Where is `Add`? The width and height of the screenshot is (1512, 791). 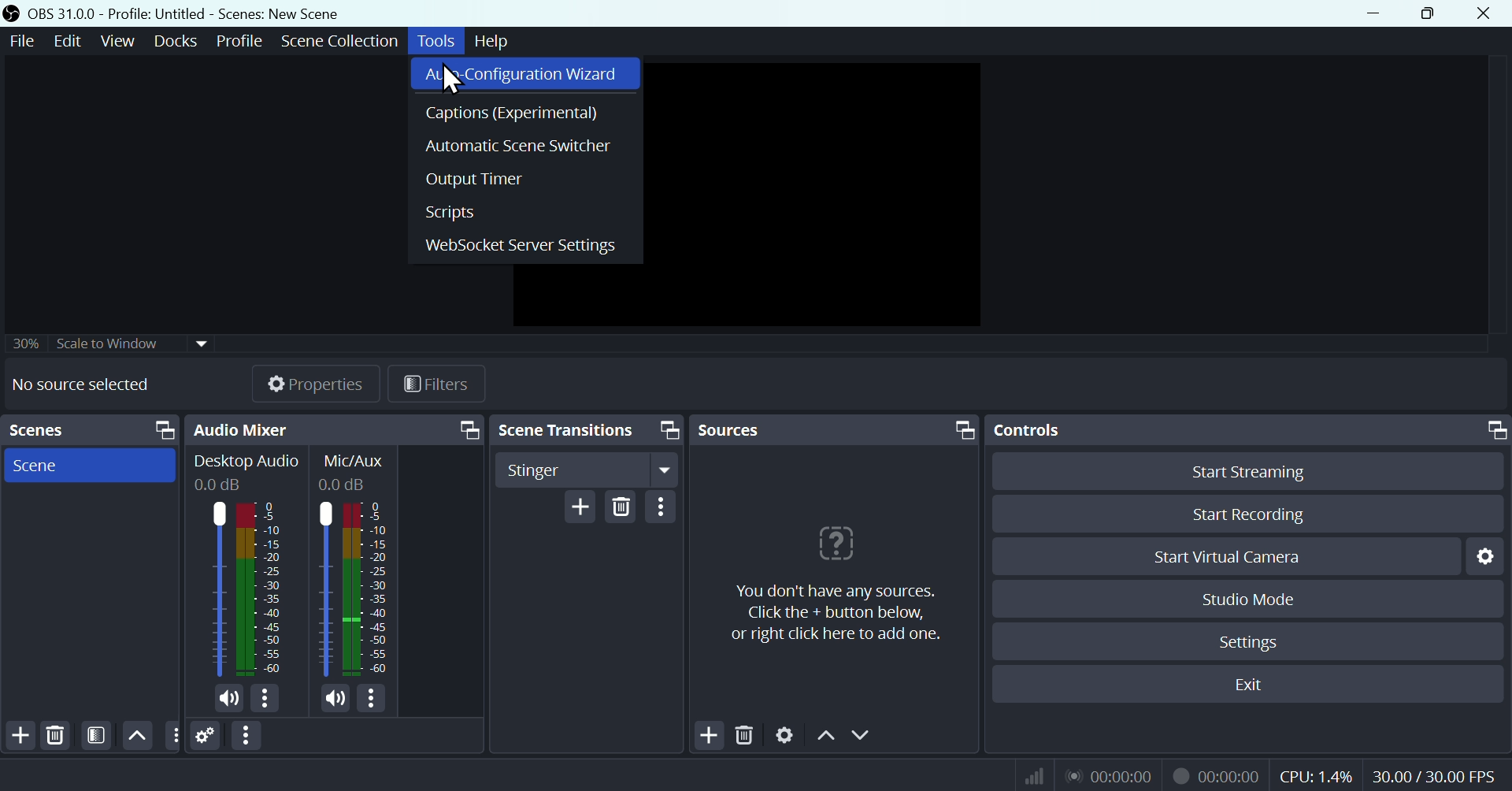 Add is located at coordinates (19, 736).